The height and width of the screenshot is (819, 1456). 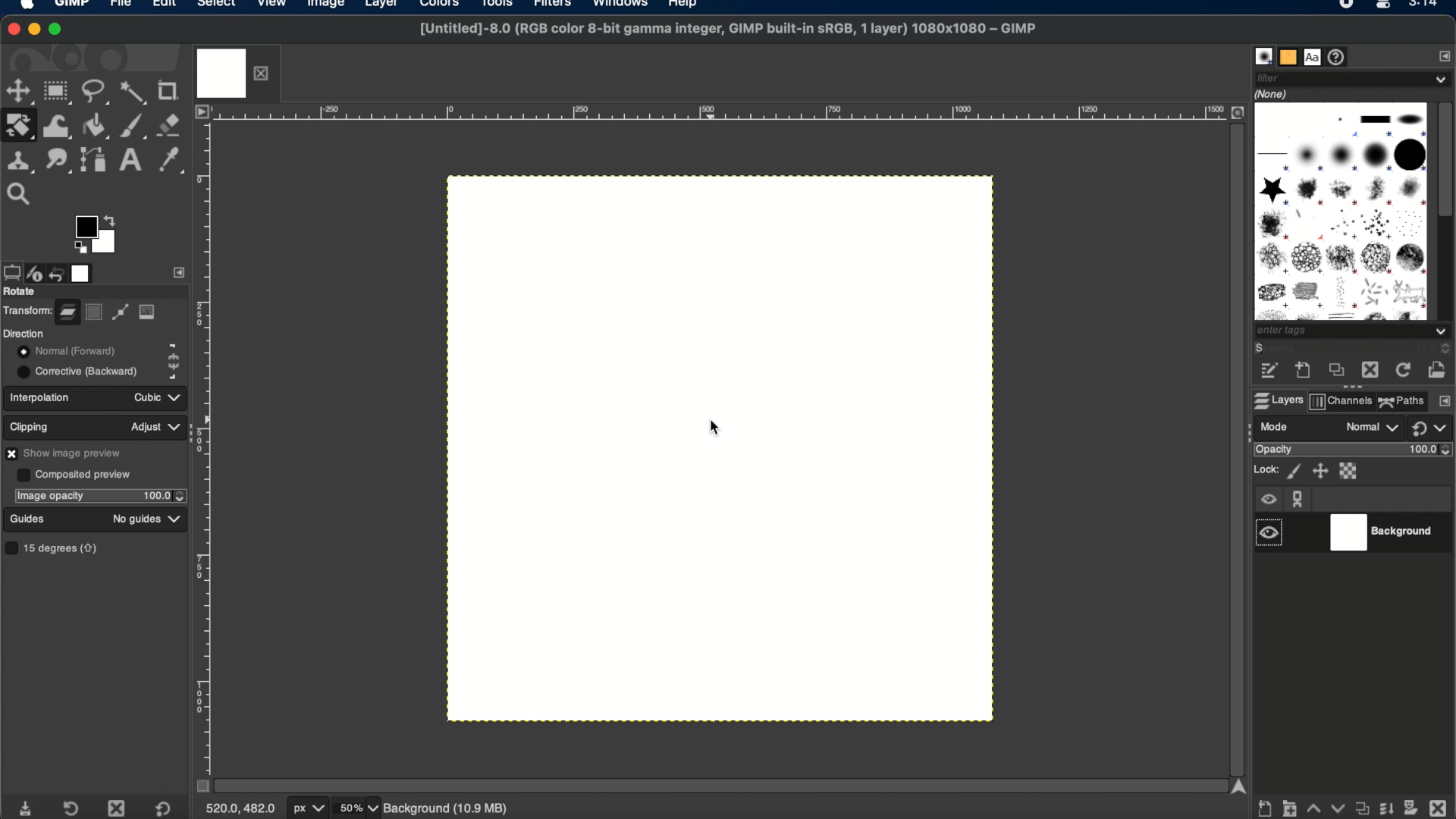 I want to click on rectangle select tool, so click(x=58, y=92).